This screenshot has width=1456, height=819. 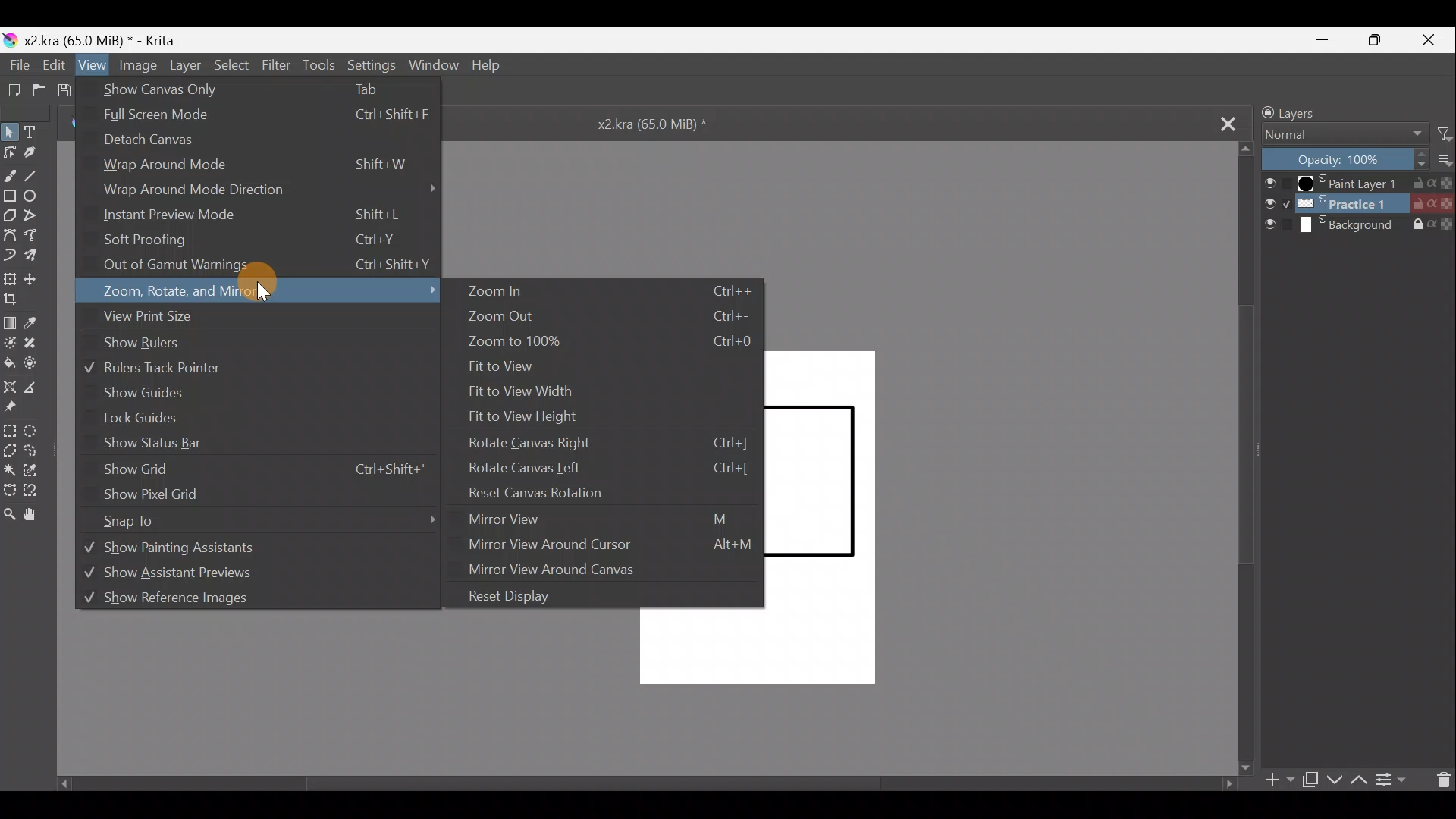 What do you see at coordinates (260, 318) in the screenshot?
I see `View print size` at bounding box center [260, 318].